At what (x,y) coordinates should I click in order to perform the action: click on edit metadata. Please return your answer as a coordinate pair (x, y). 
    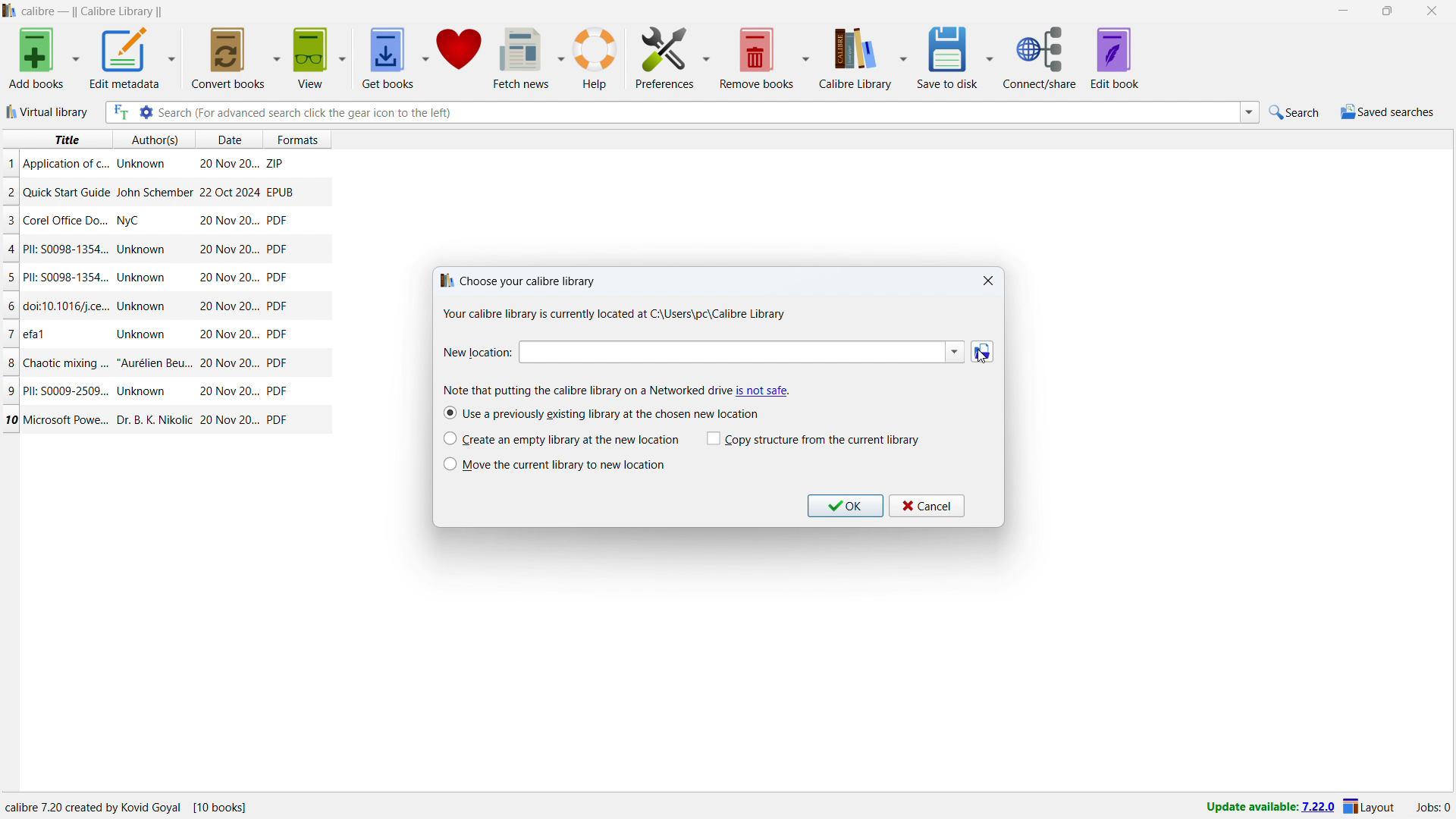
    Looking at the image, I should click on (123, 58).